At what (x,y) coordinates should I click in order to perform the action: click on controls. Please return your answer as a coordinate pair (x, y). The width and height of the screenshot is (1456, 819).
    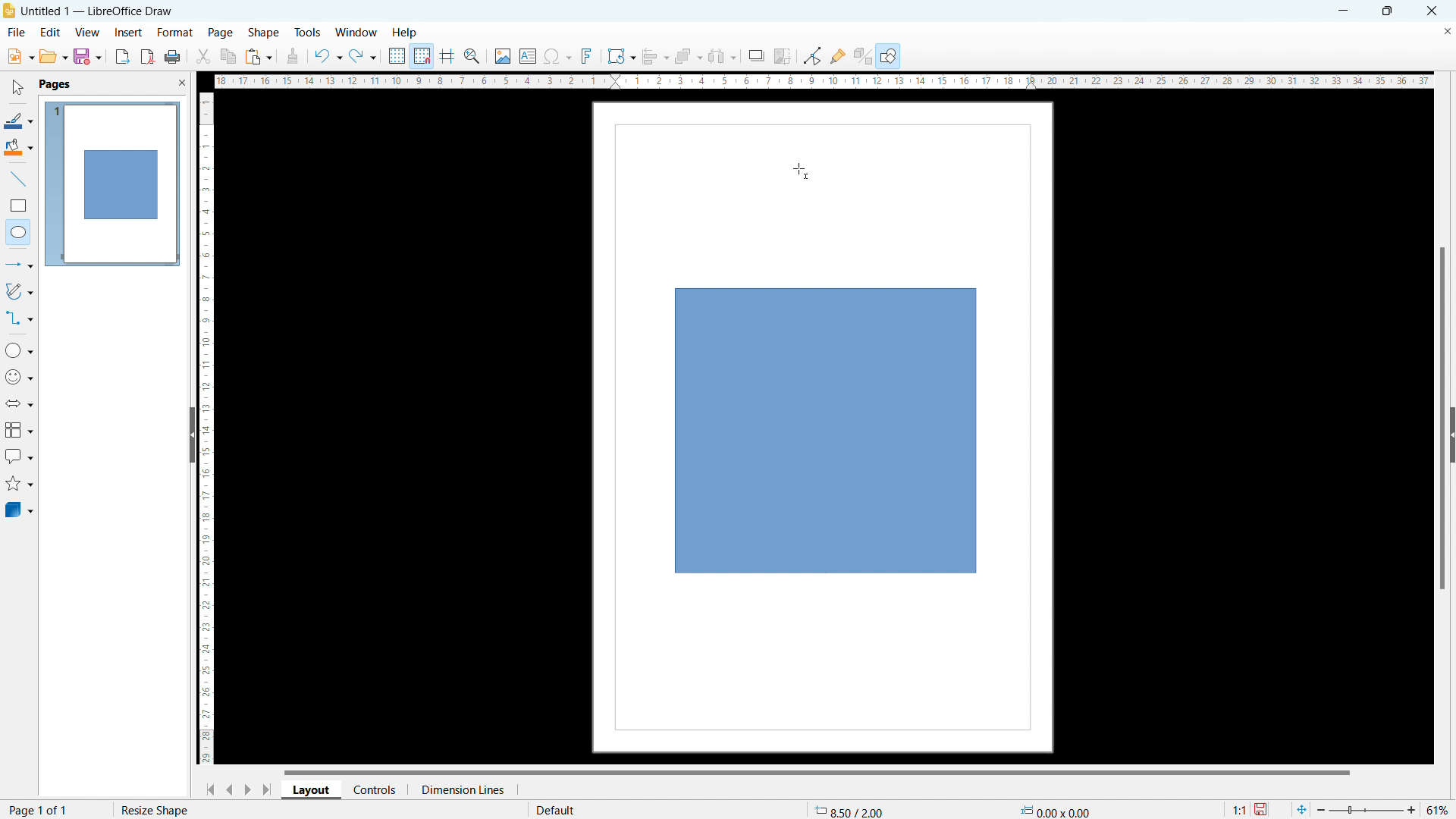
    Looking at the image, I should click on (376, 789).